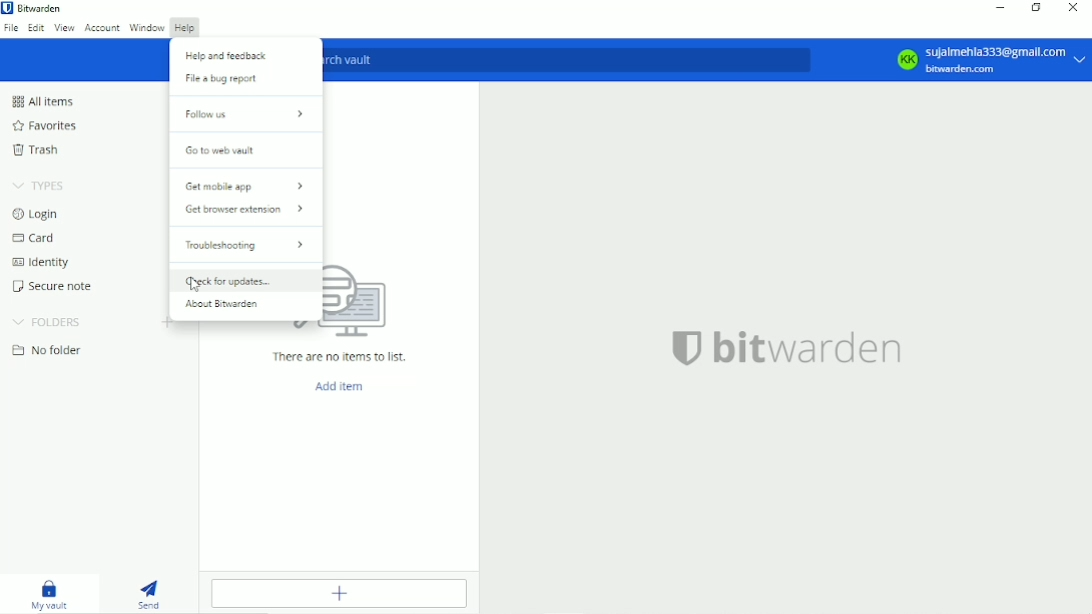  I want to click on cursor, so click(195, 285).